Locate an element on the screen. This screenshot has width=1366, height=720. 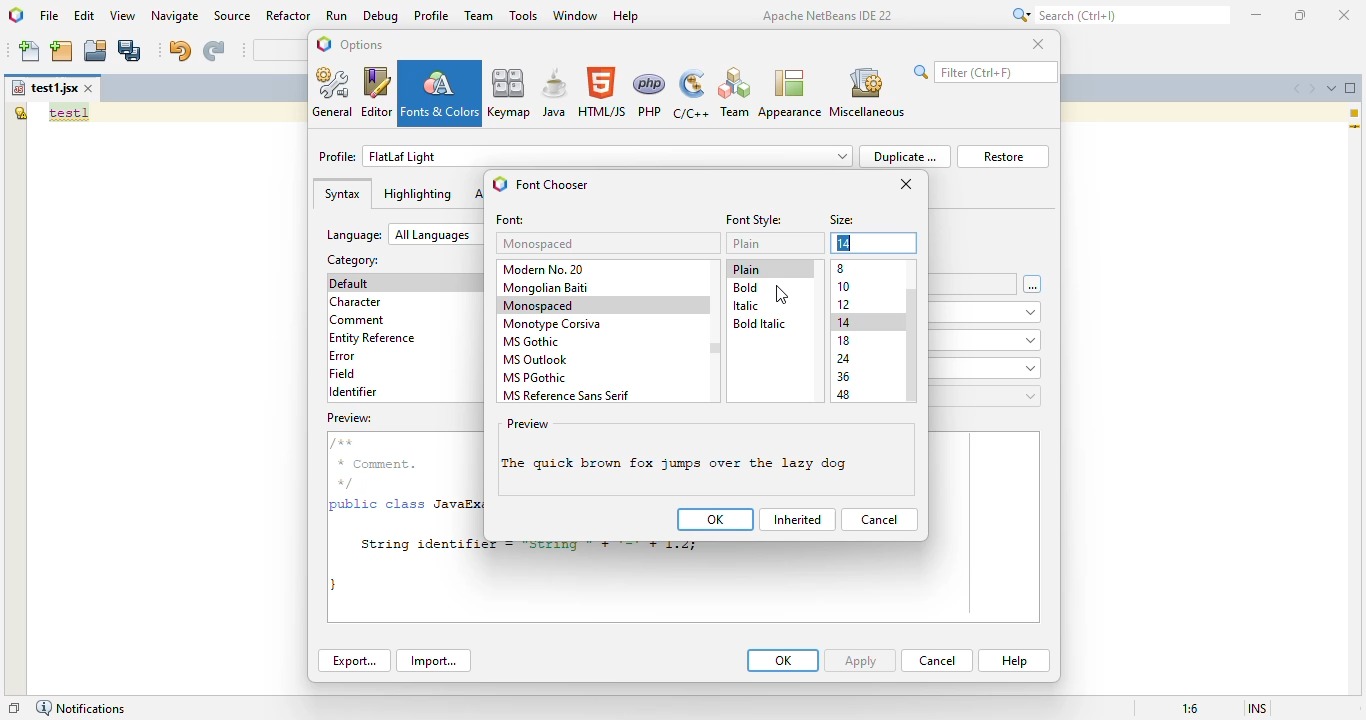
file is located at coordinates (49, 15).